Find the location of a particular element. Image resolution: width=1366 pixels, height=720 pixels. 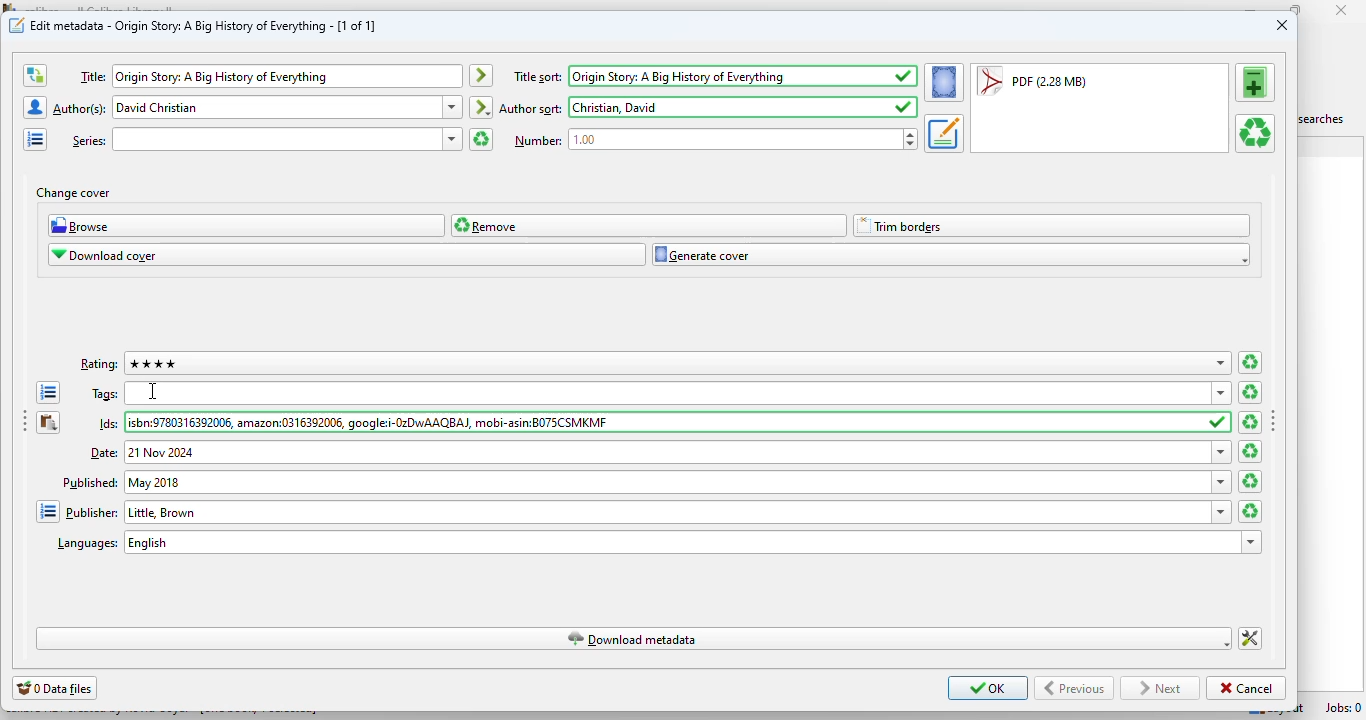

text is located at coordinates (88, 140).